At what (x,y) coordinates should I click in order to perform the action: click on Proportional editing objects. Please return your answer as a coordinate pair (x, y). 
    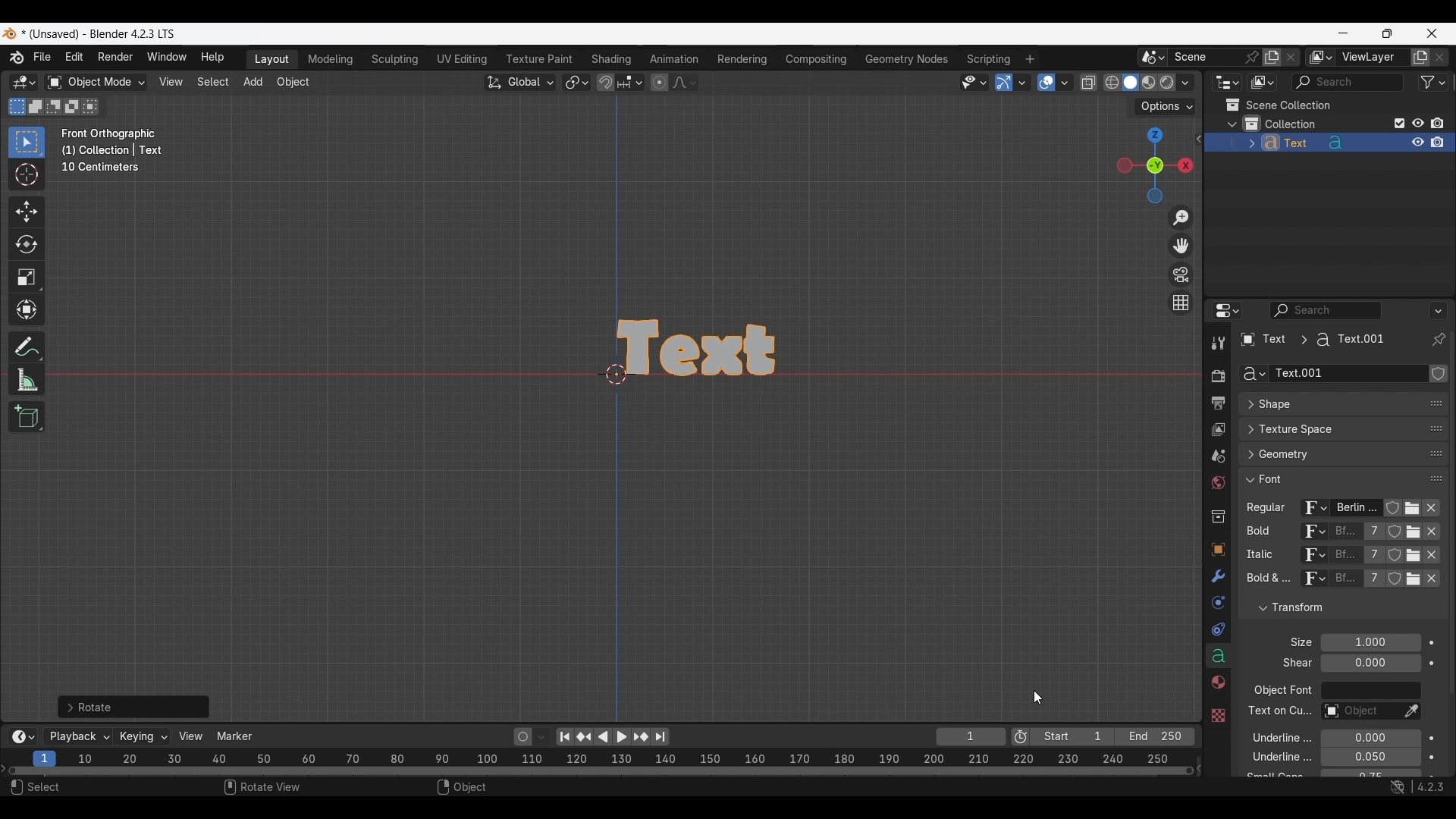
    Looking at the image, I should click on (659, 82).